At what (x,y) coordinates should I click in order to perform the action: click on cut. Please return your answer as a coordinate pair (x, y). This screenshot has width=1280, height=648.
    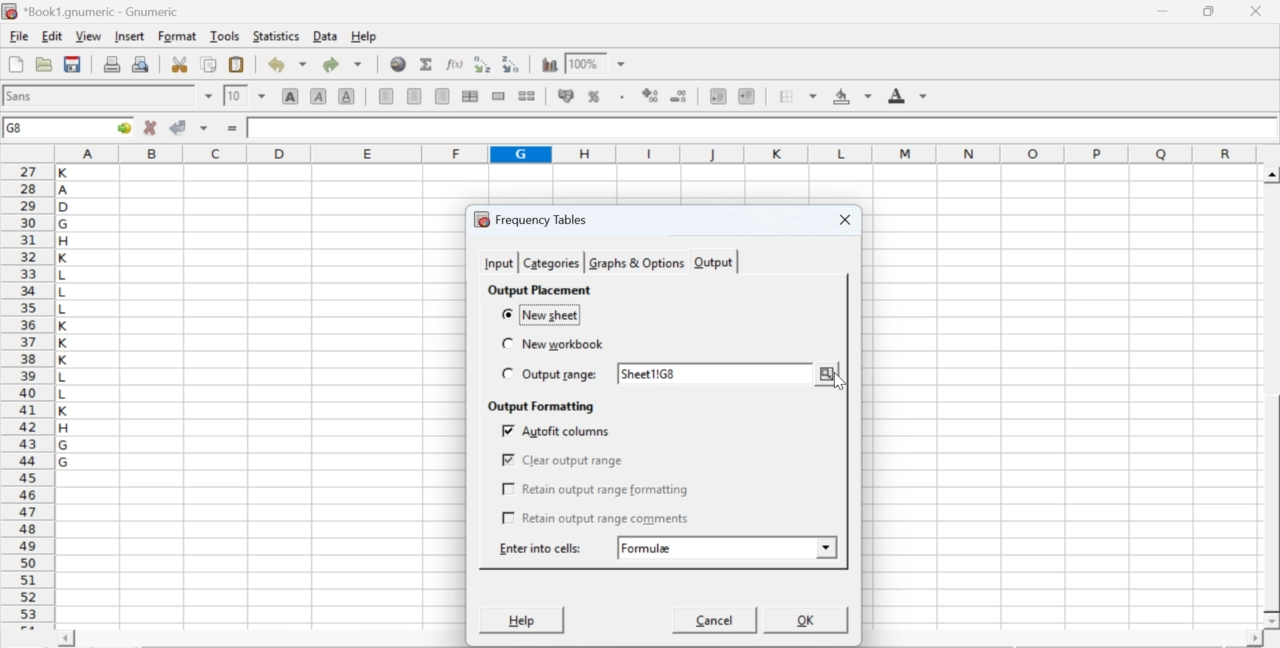
    Looking at the image, I should click on (179, 64).